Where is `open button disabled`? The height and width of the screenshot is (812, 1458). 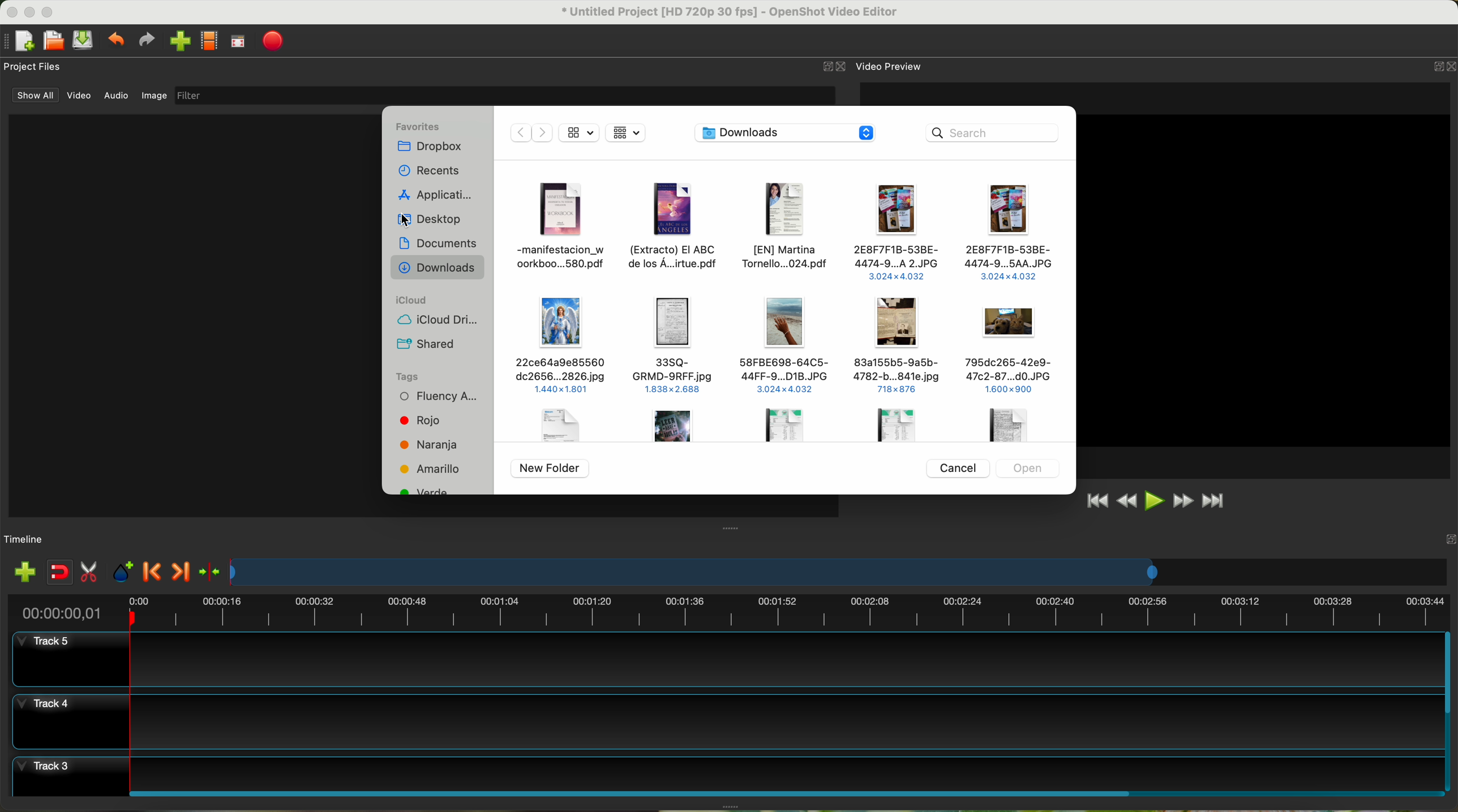 open button disabled is located at coordinates (1027, 467).